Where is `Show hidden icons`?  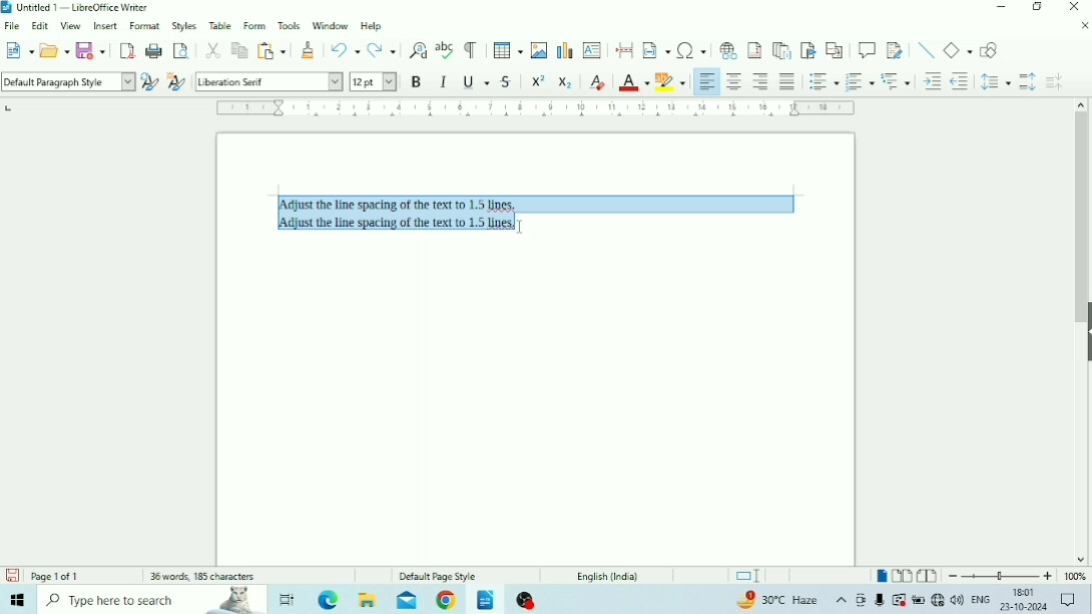 Show hidden icons is located at coordinates (842, 600).